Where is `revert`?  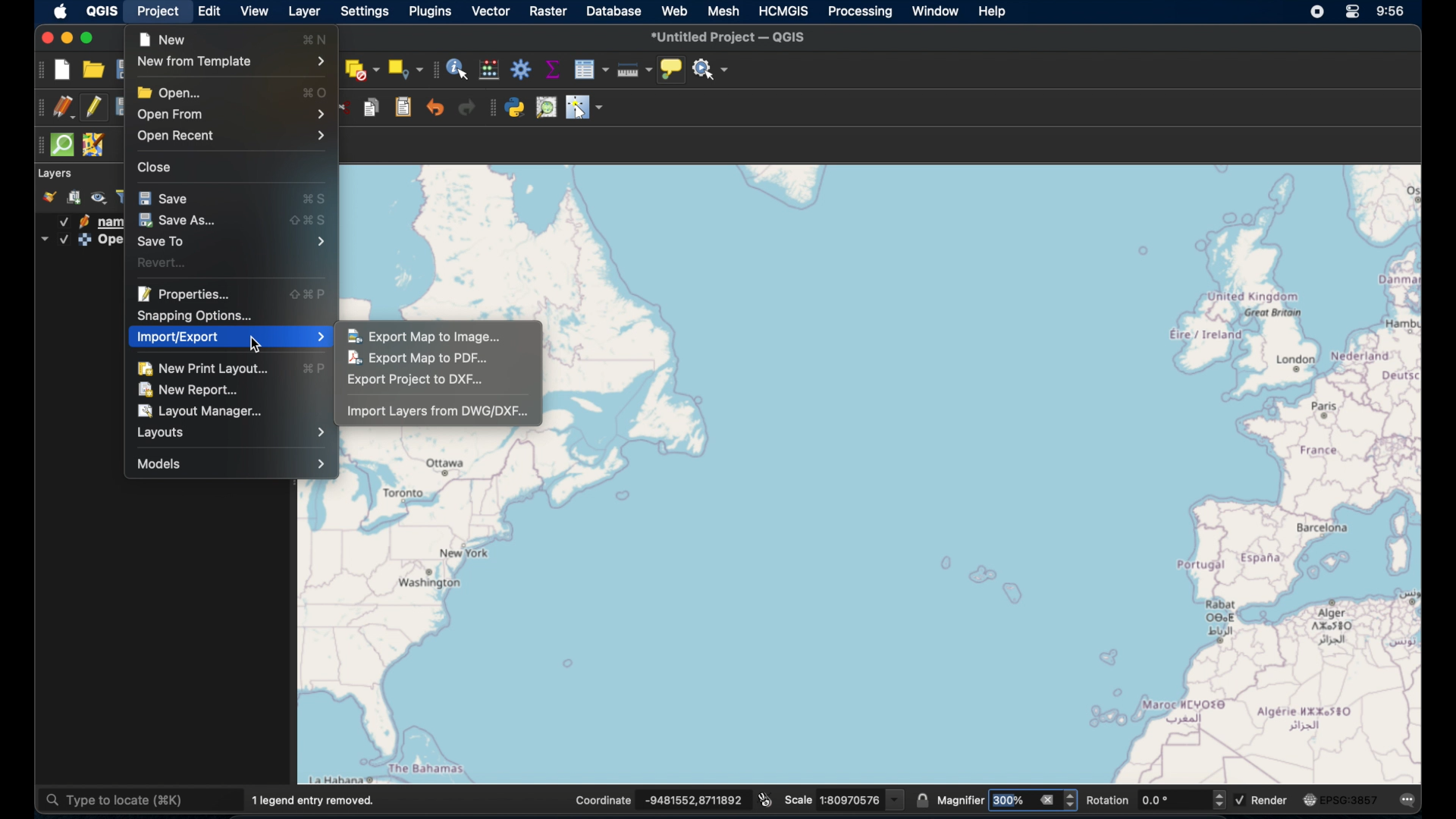 revert is located at coordinates (163, 262).